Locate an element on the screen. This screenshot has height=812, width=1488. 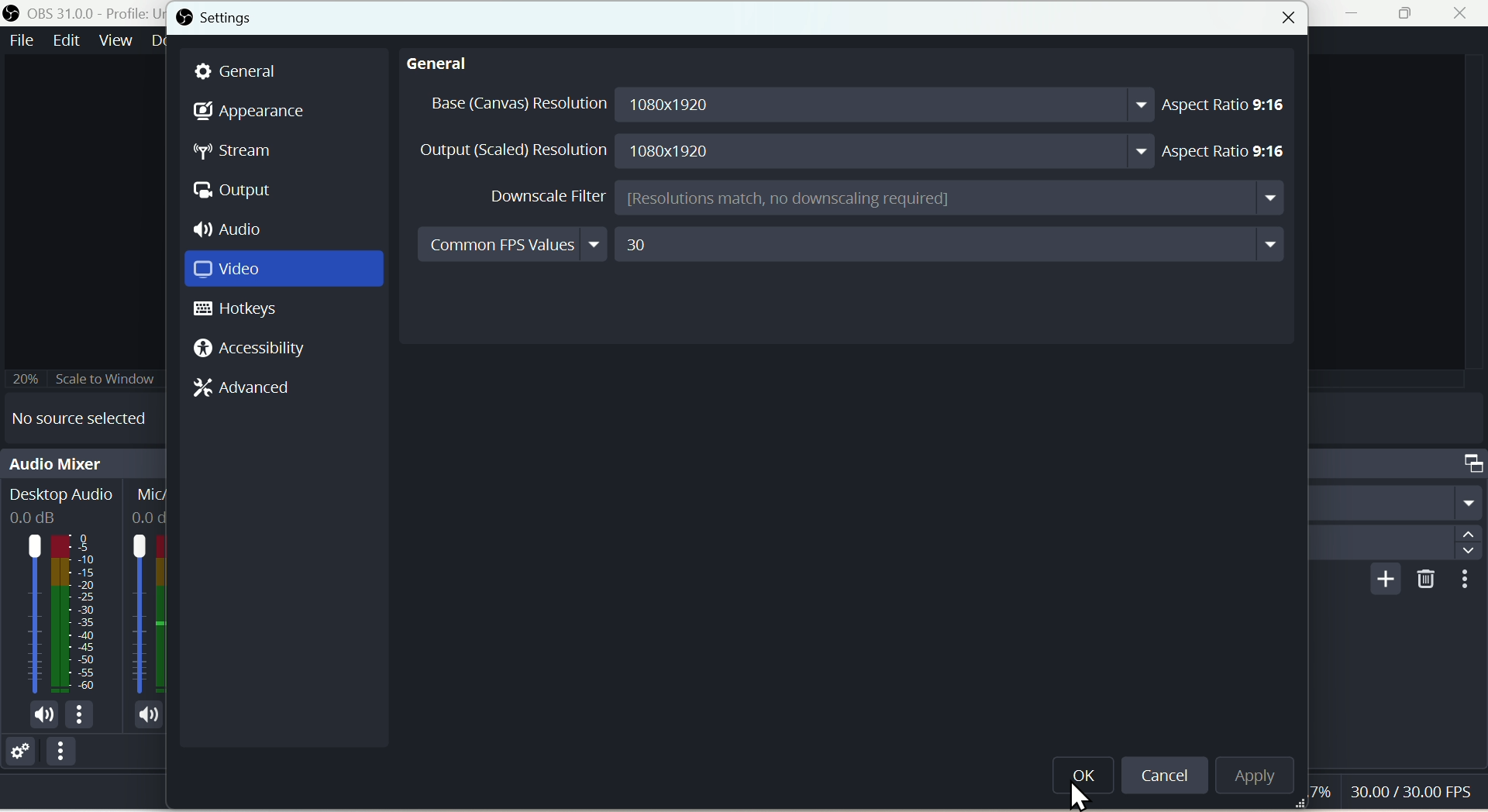
Scene transition is located at coordinates (1399, 462).